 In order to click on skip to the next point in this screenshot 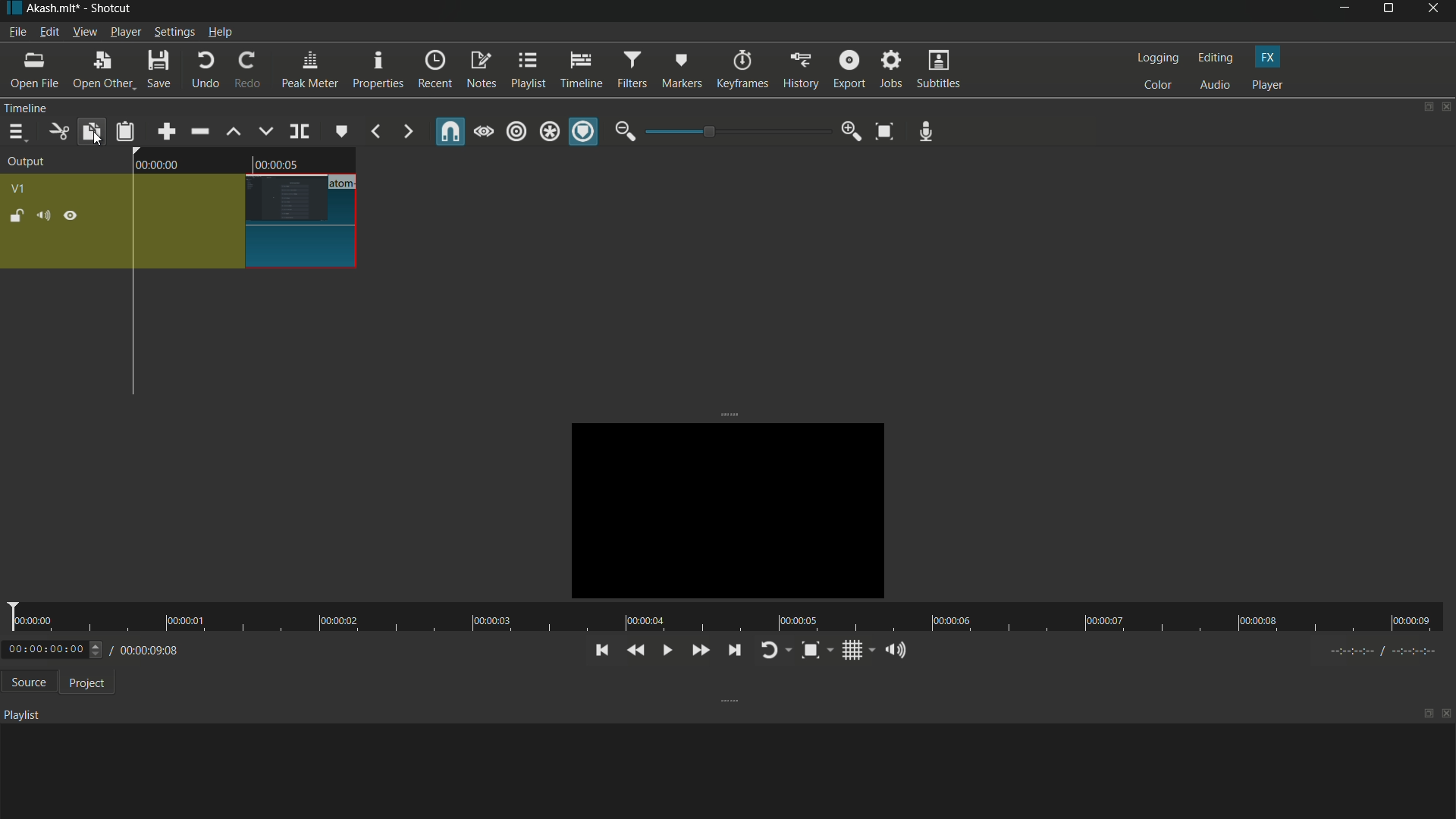, I will do `click(731, 649)`.